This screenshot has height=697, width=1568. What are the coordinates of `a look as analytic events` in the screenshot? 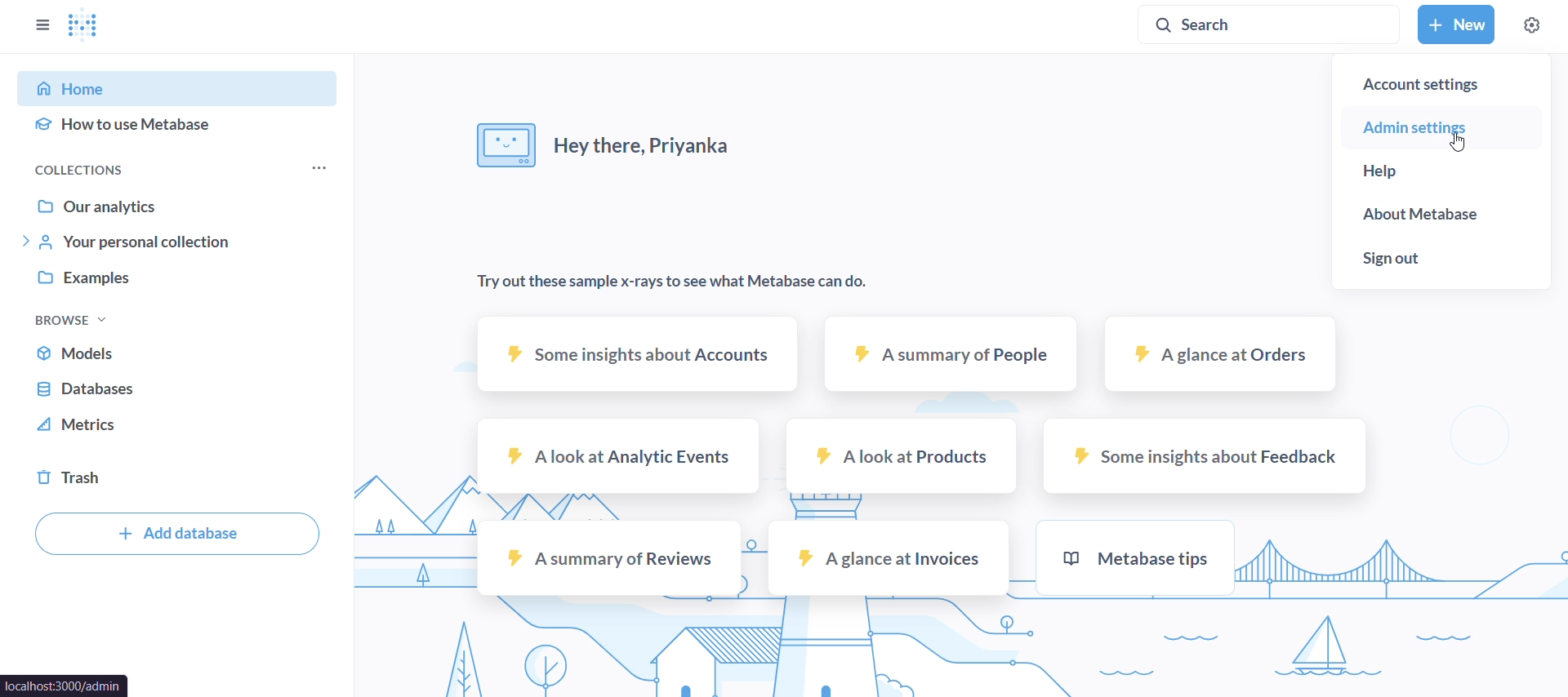 It's located at (616, 457).